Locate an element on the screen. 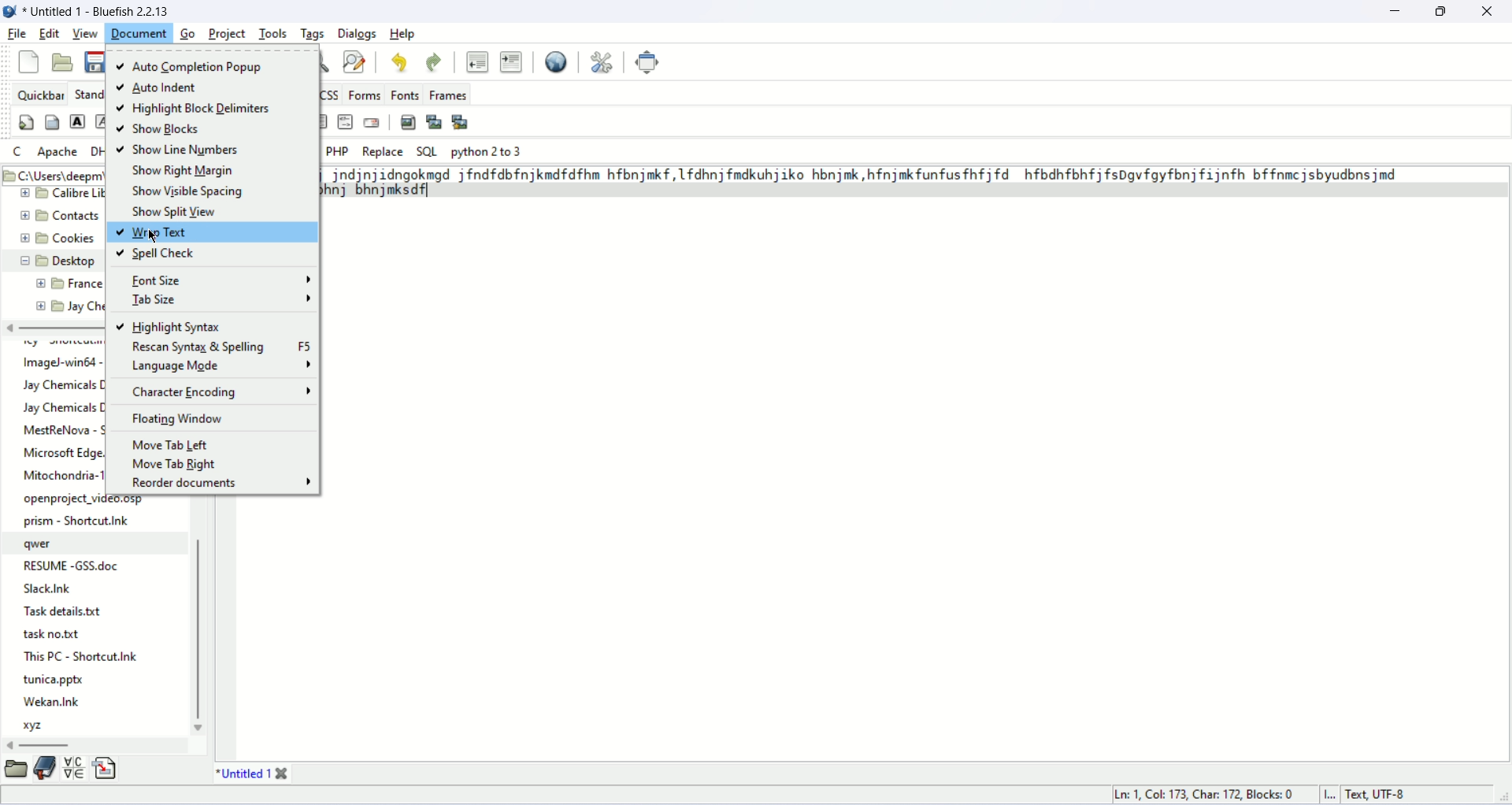  go is located at coordinates (187, 35).